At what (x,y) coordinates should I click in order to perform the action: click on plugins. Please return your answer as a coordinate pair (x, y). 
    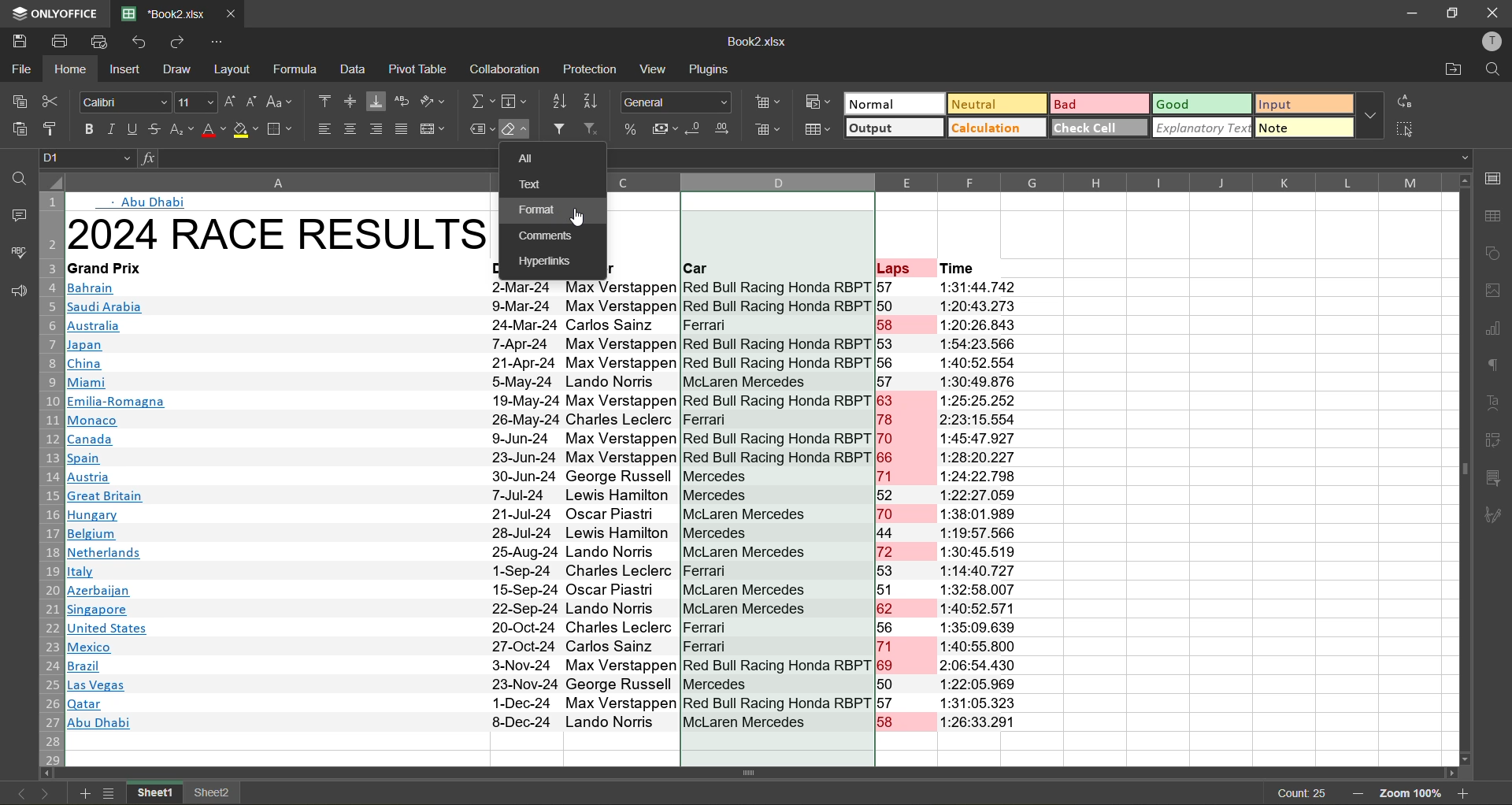
    Looking at the image, I should click on (709, 69).